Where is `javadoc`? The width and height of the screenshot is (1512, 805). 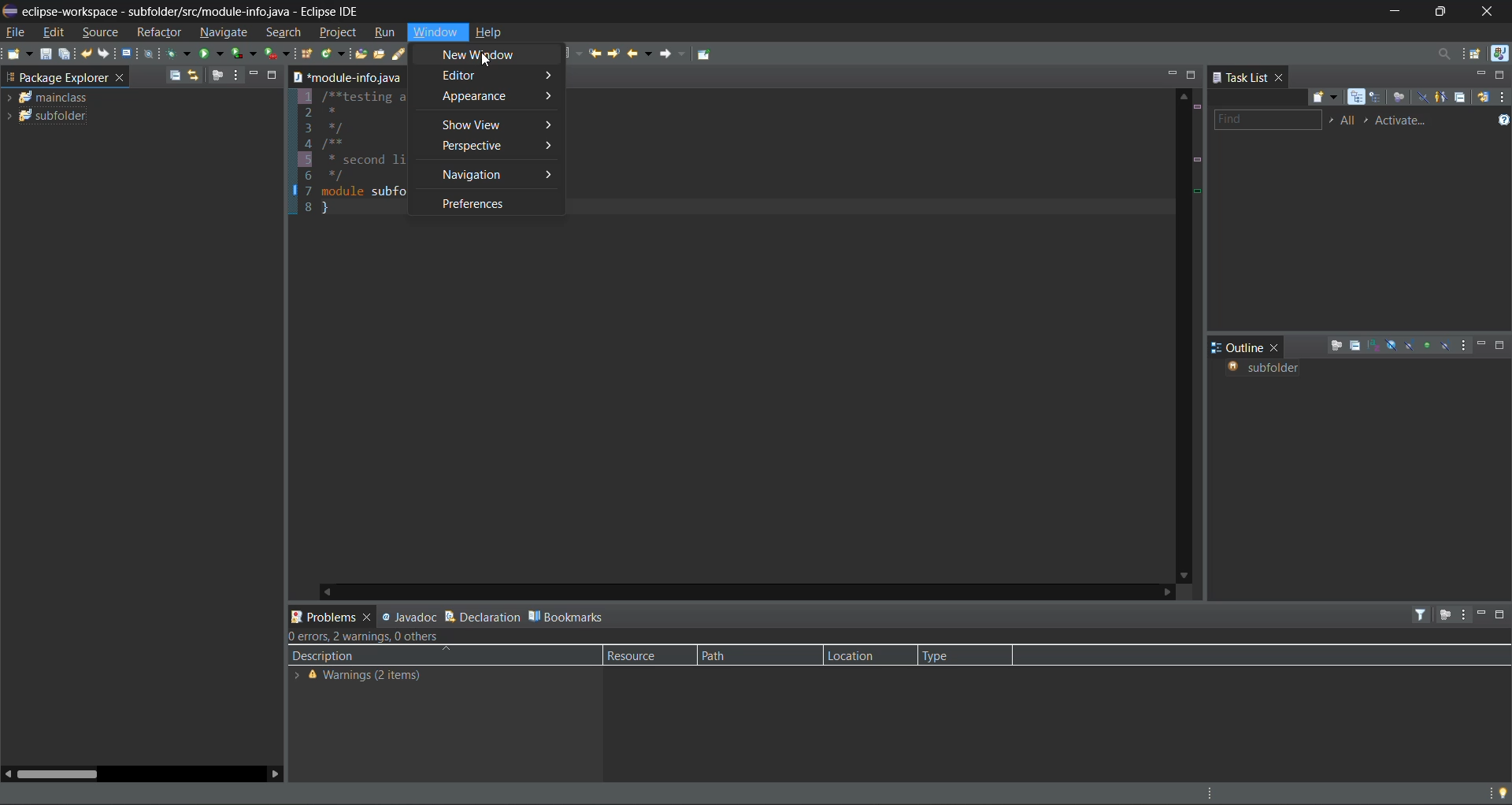 javadoc is located at coordinates (409, 618).